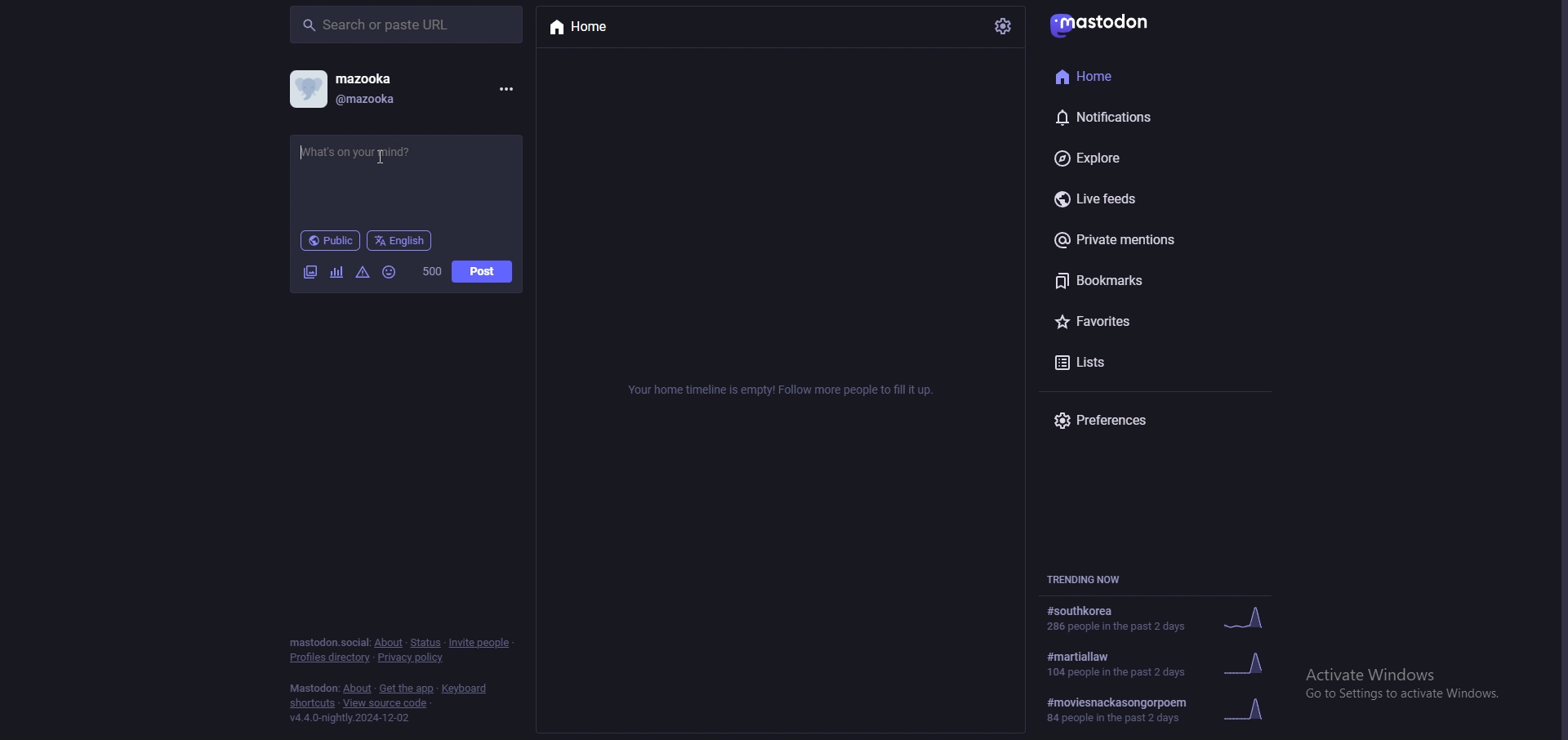  Describe the element at coordinates (385, 703) in the screenshot. I see `view source code` at that location.